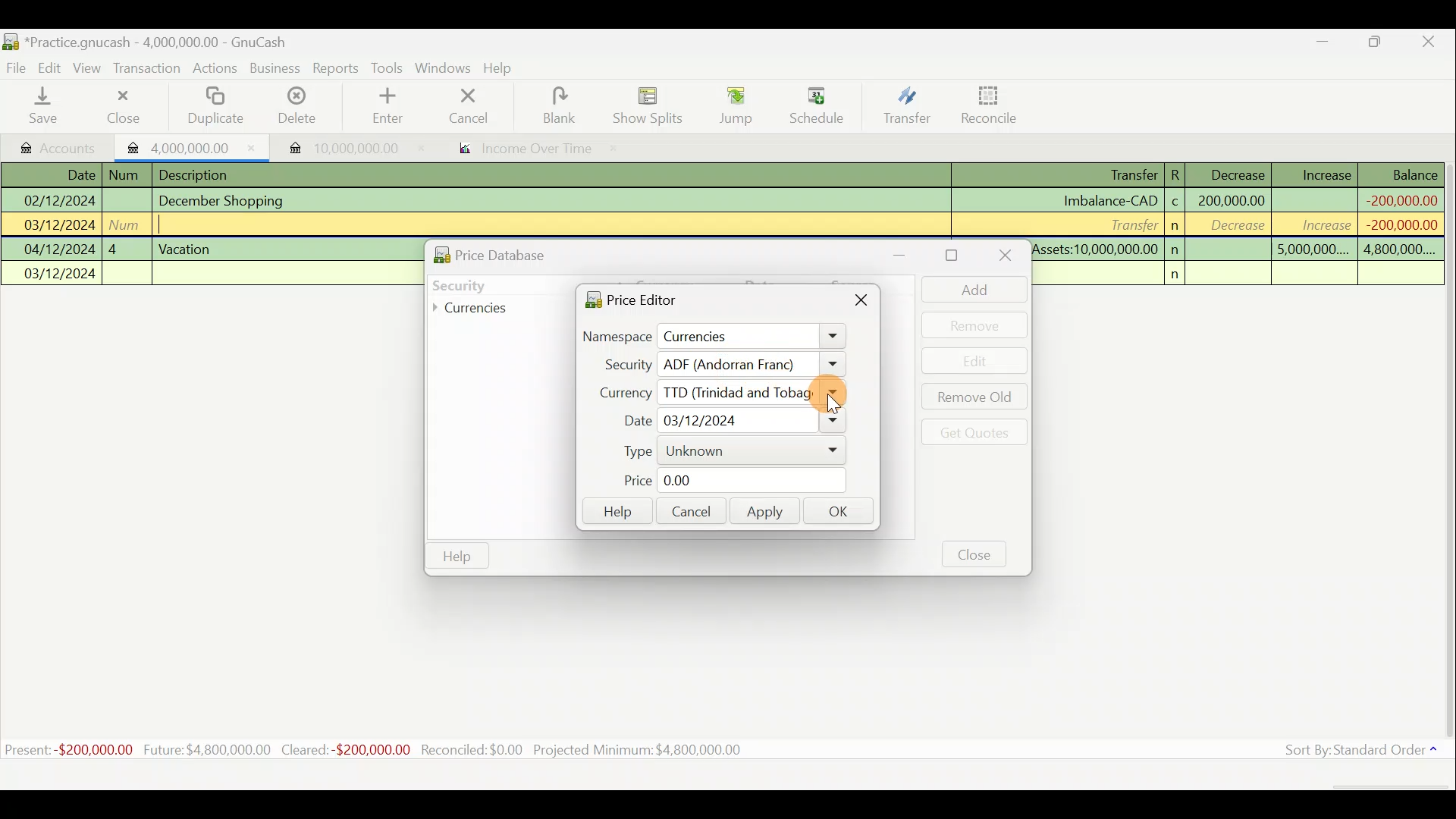  What do you see at coordinates (481, 309) in the screenshot?
I see `Currencies` at bounding box center [481, 309].